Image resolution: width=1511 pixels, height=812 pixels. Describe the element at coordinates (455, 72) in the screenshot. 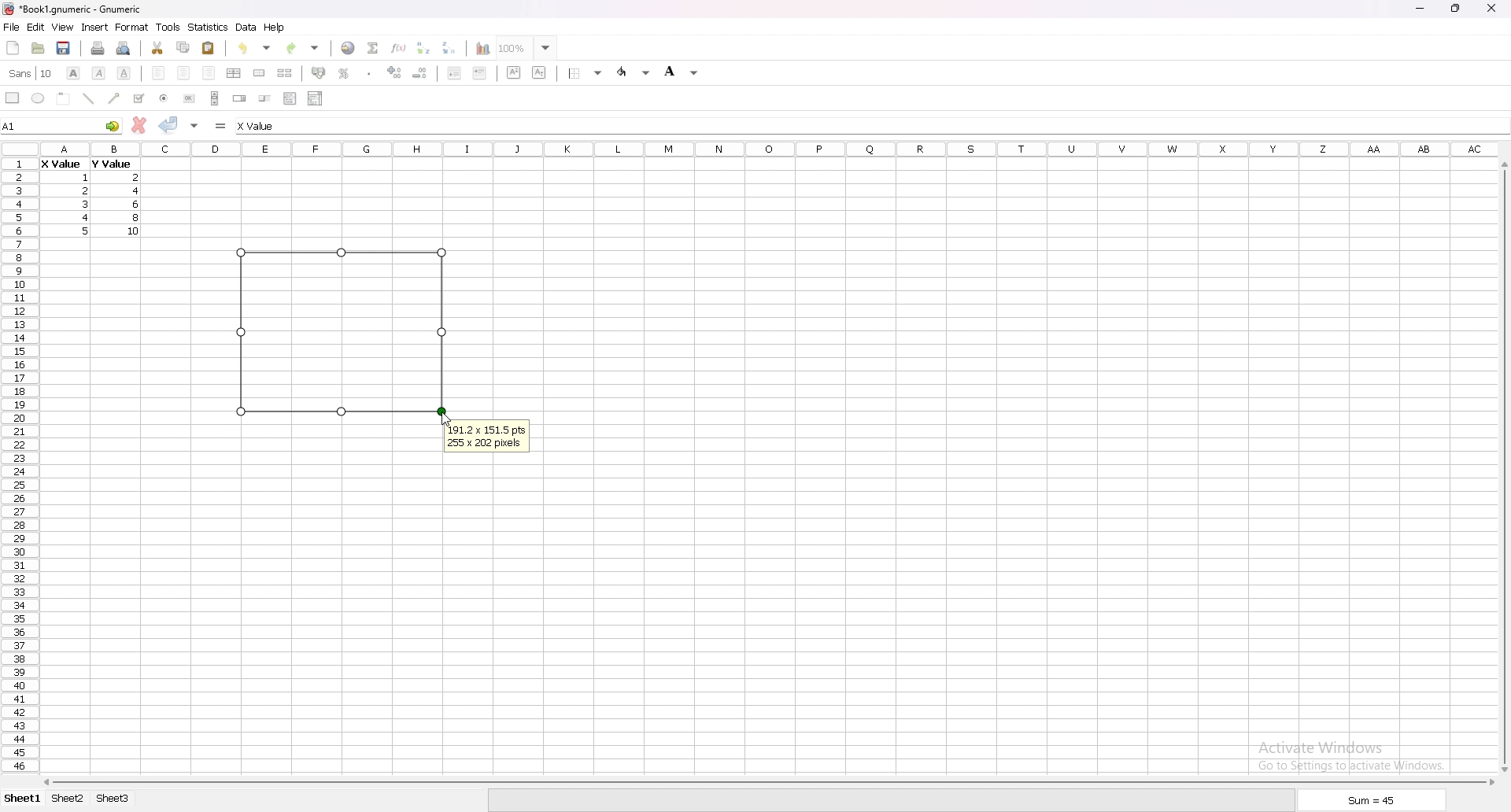

I see `decrease indent` at that location.